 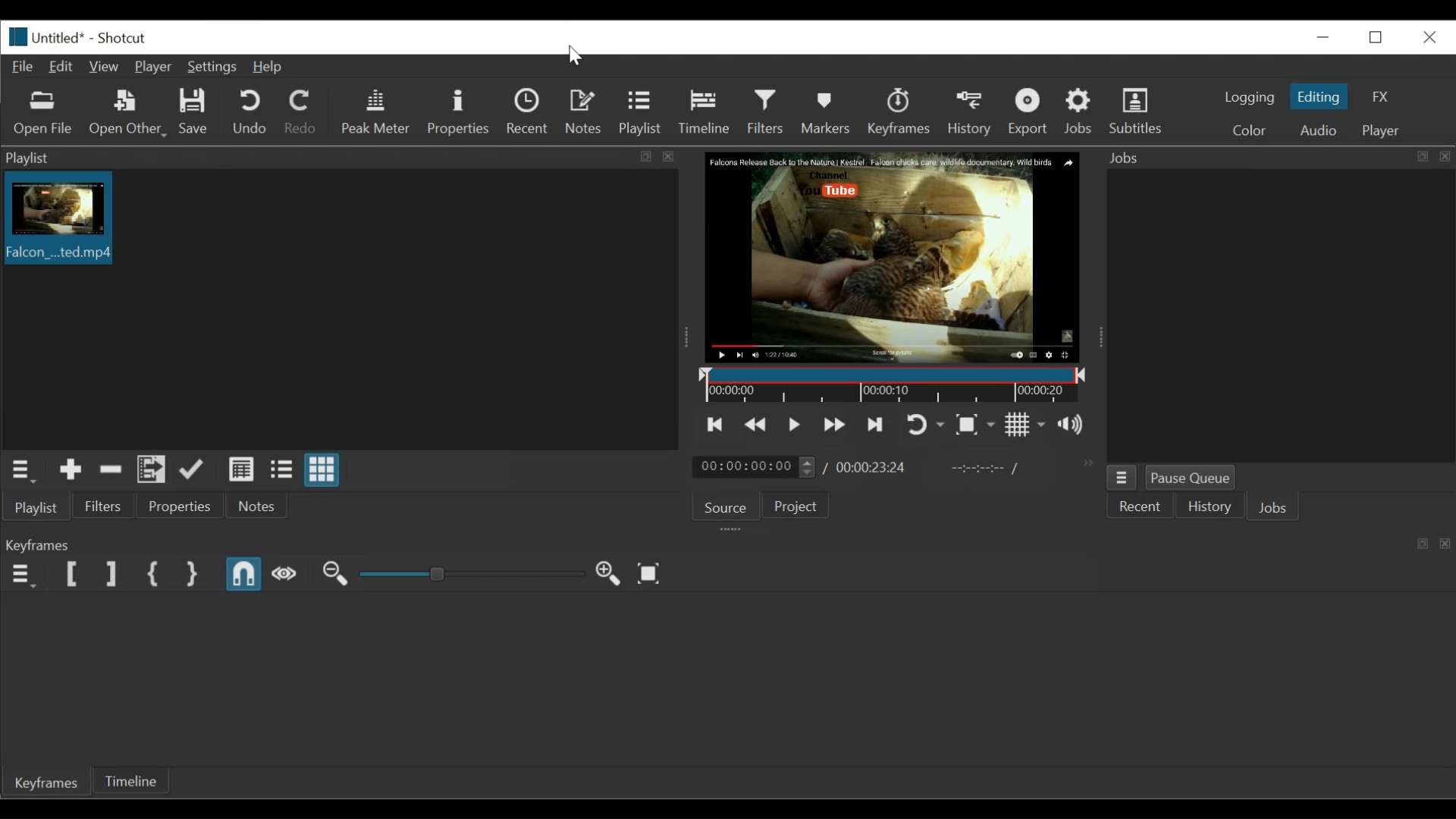 I want to click on Settings, so click(x=211, y=67).